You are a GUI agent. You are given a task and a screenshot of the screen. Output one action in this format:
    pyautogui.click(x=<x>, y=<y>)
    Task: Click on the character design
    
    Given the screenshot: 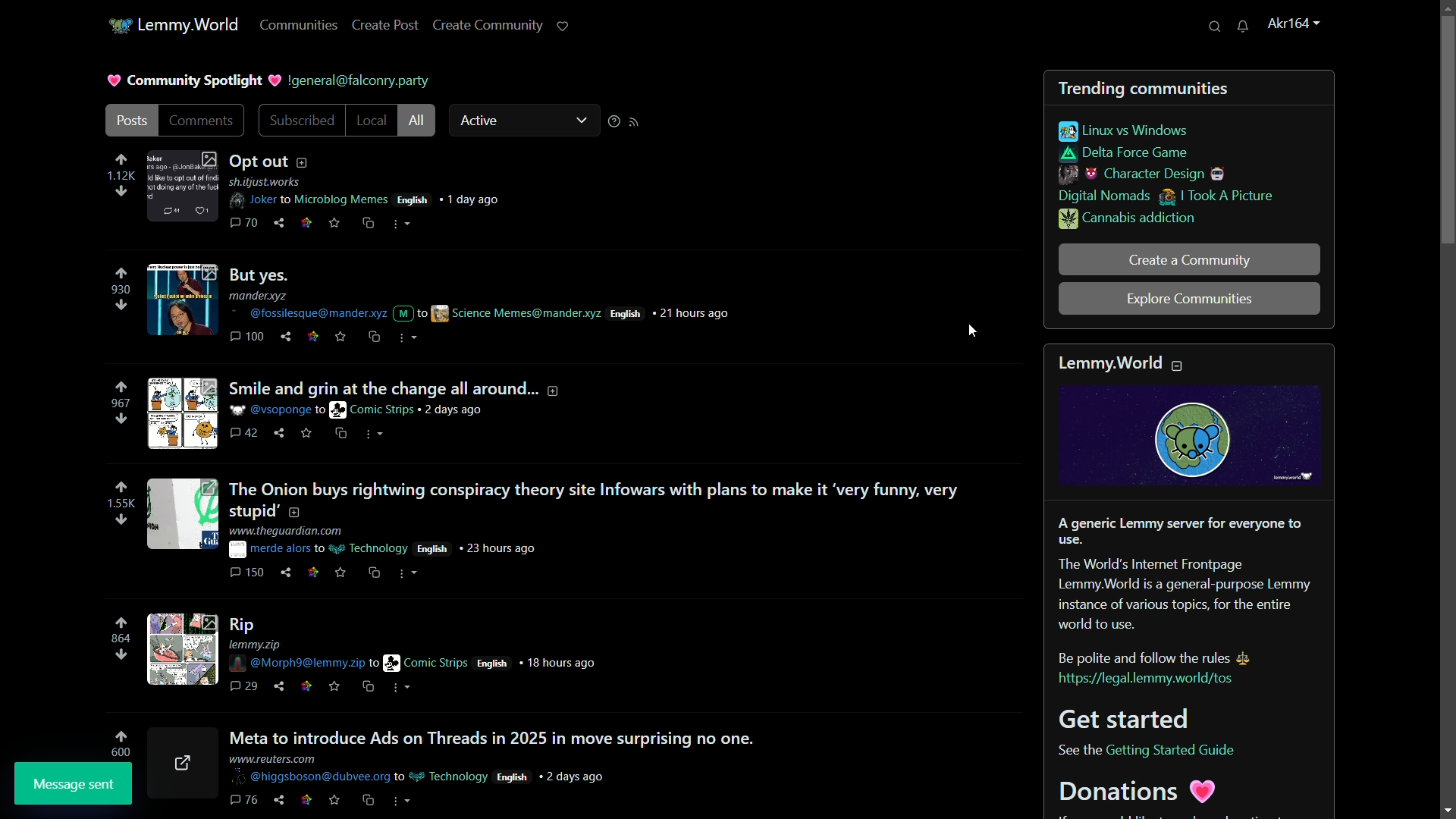 What is the action you would take?
    pyautogui.click(x=1143, y=176)
    